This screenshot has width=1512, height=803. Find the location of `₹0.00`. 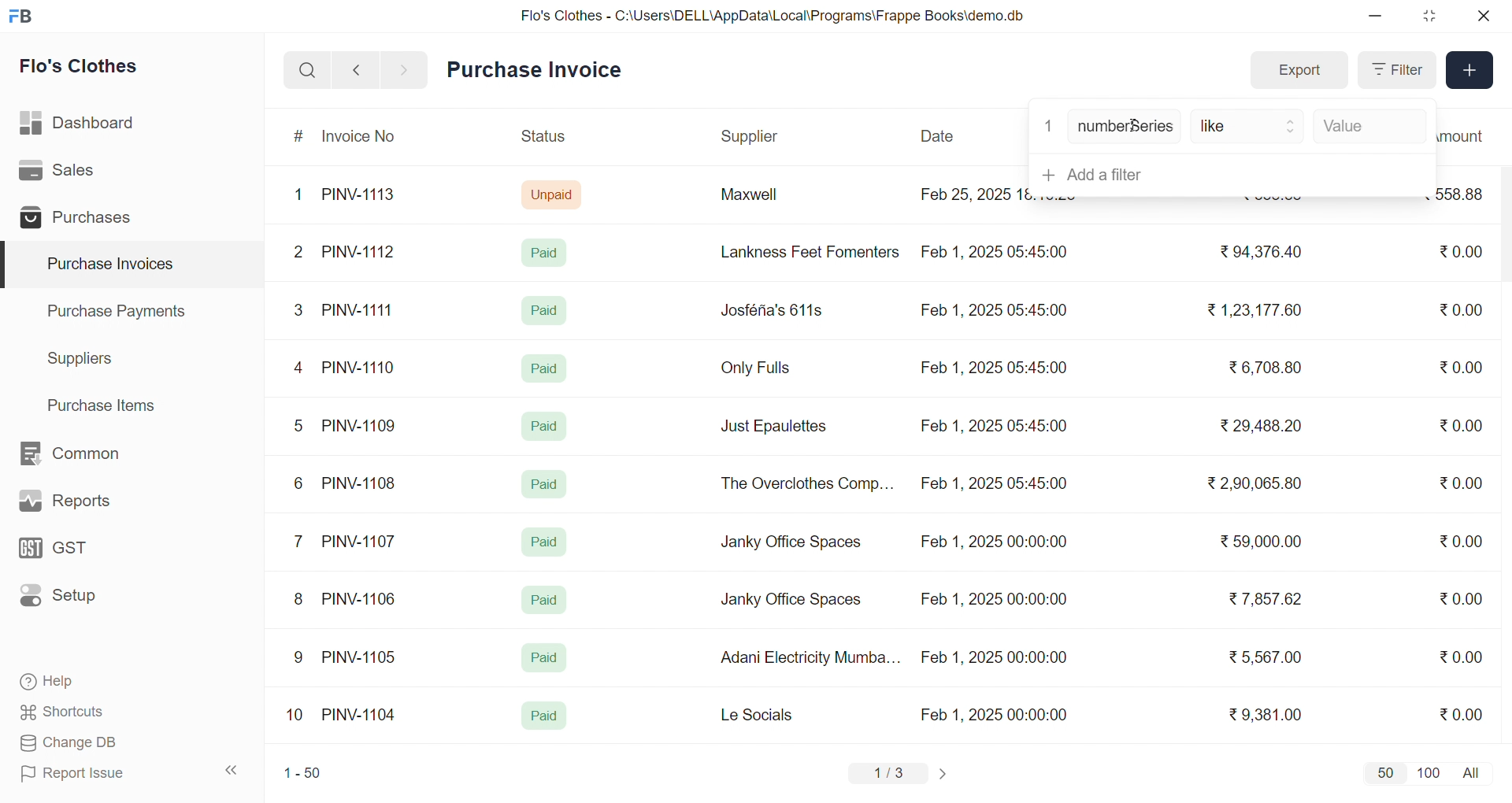

₹0.00 is located at coordinates (1452, 426).